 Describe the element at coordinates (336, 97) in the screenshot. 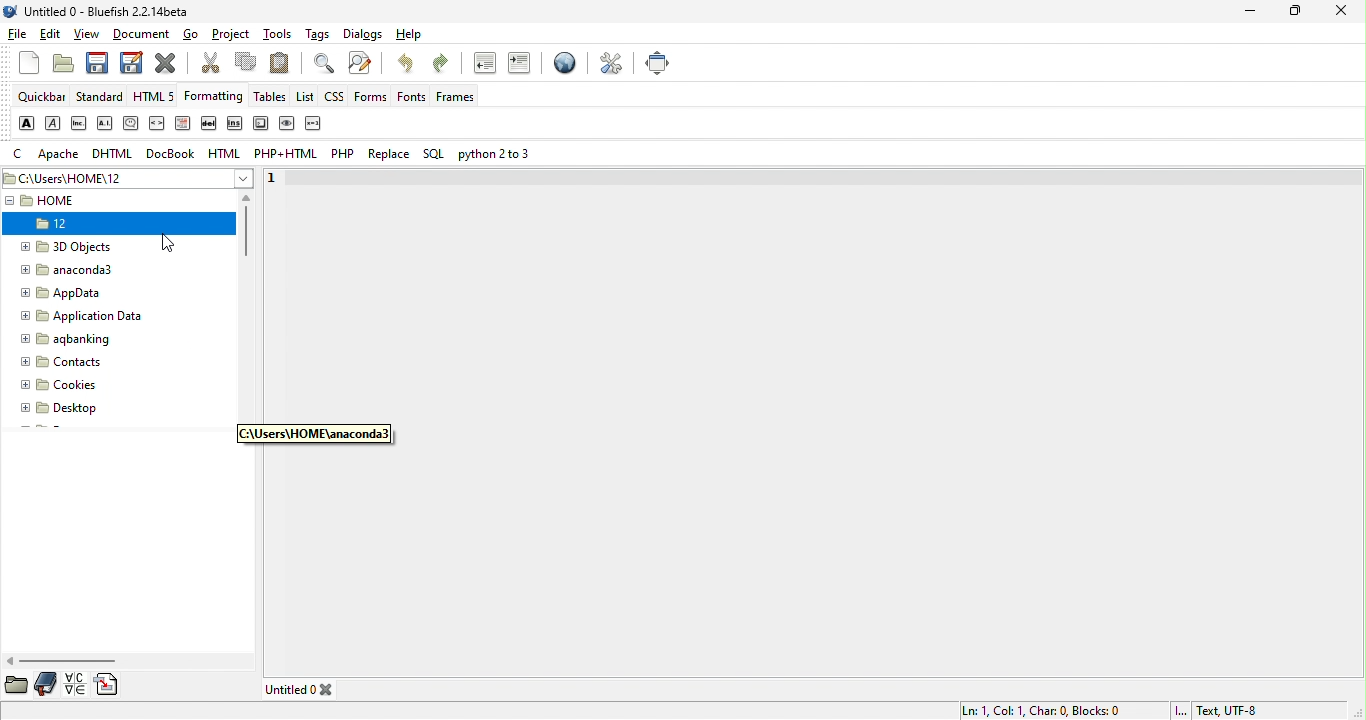

I see `css` at that location.